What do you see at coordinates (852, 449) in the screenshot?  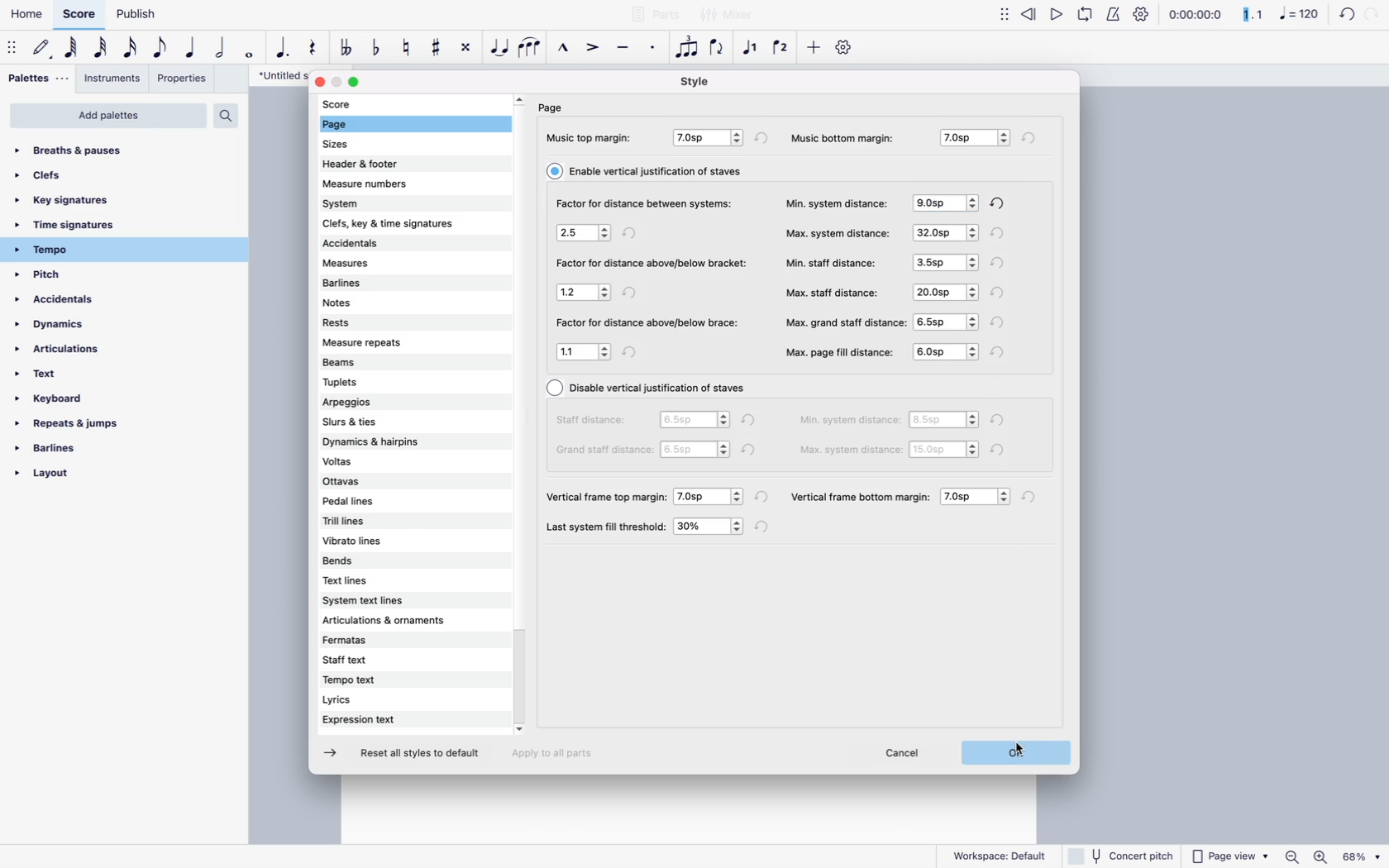 I see `max system distance` at bounding box center [852, 449].